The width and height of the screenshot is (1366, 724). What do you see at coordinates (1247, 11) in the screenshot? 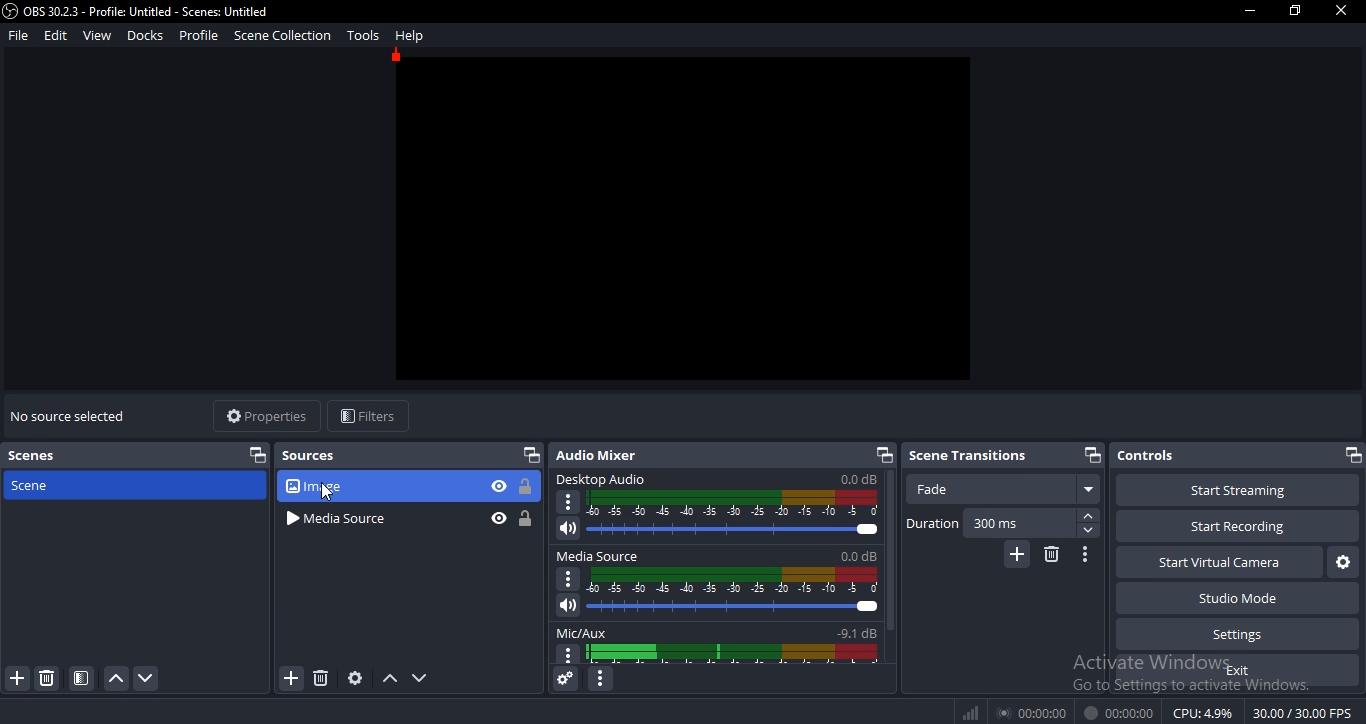
I see `minimize` at bounding box center [1247, 11].